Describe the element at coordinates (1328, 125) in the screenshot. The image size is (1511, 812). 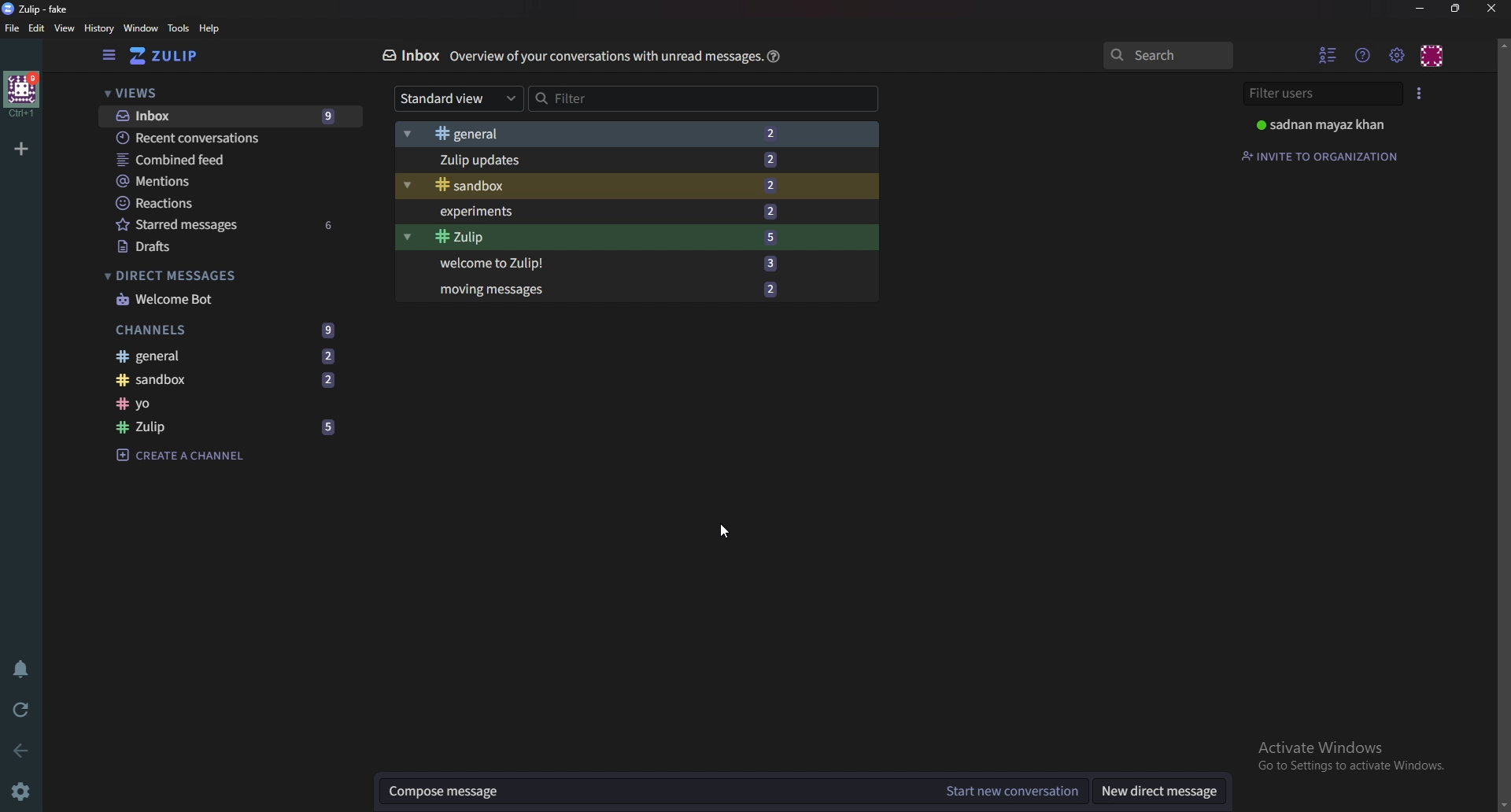
I see `Profile` at that location.